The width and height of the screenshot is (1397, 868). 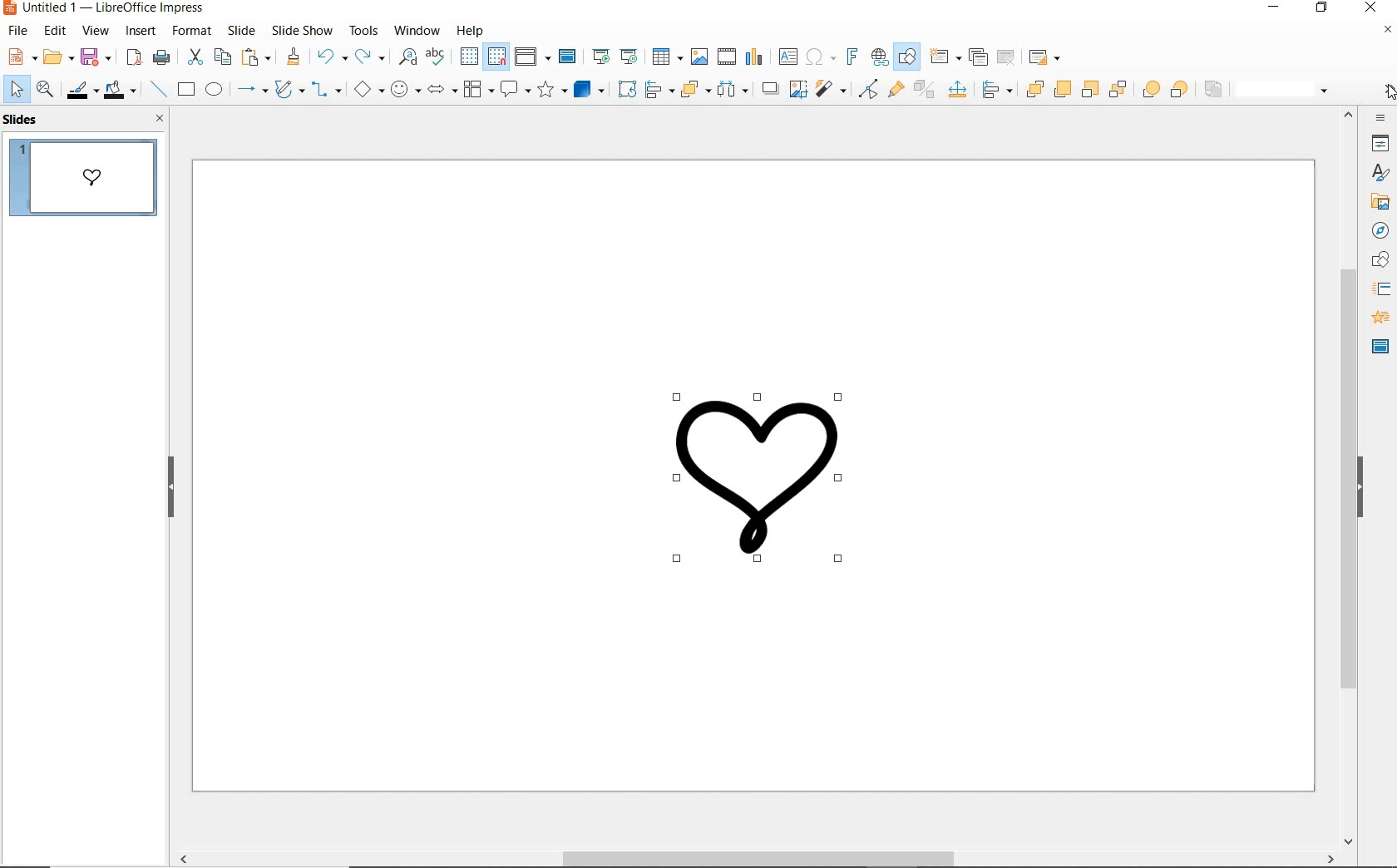 What do you see at coordinates (1380, 174) in the screenshot?
I see `STYLES` at bounding box center [1380, 174].